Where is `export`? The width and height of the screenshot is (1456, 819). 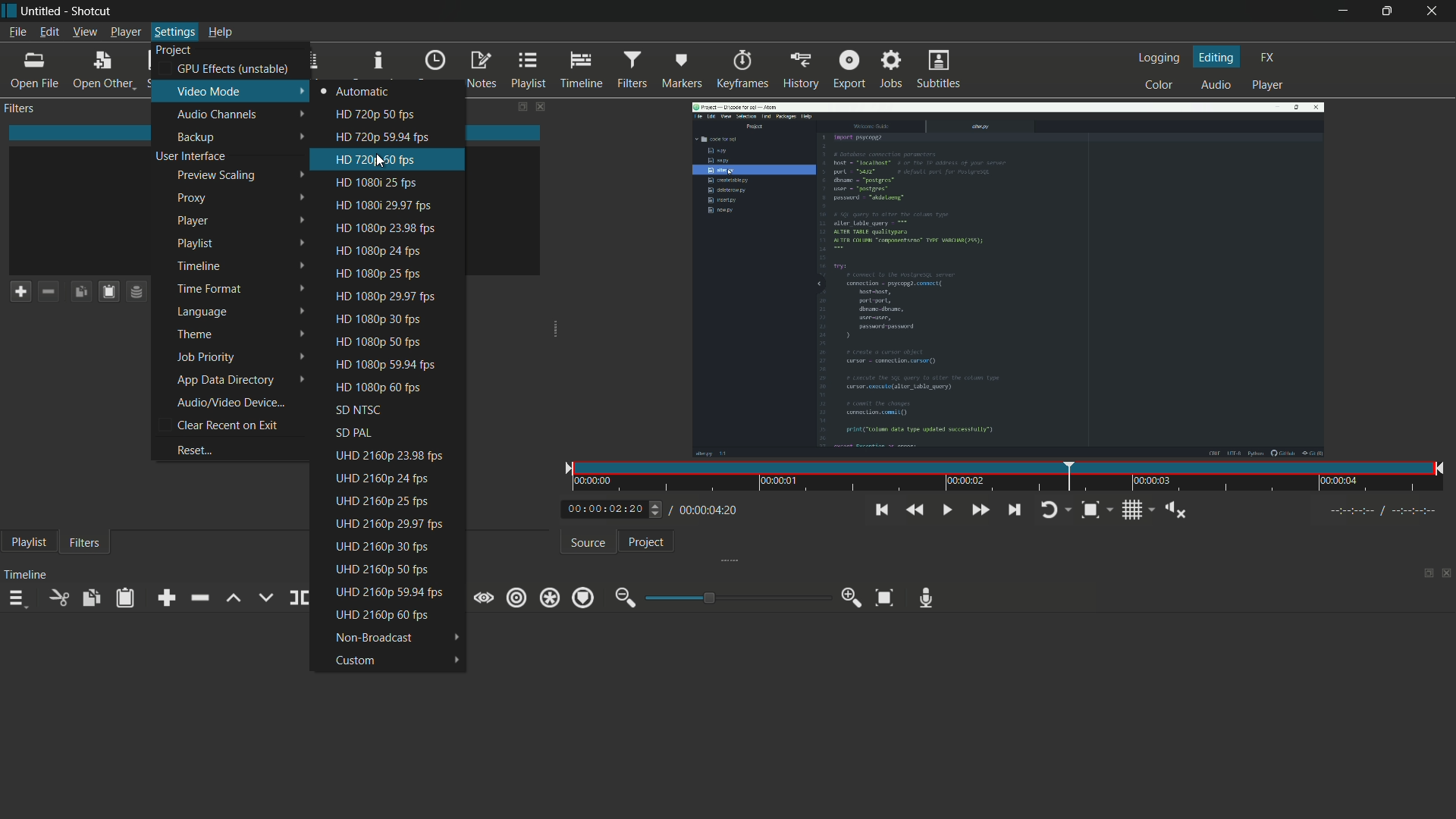
export is located at coordinates (849, 70).